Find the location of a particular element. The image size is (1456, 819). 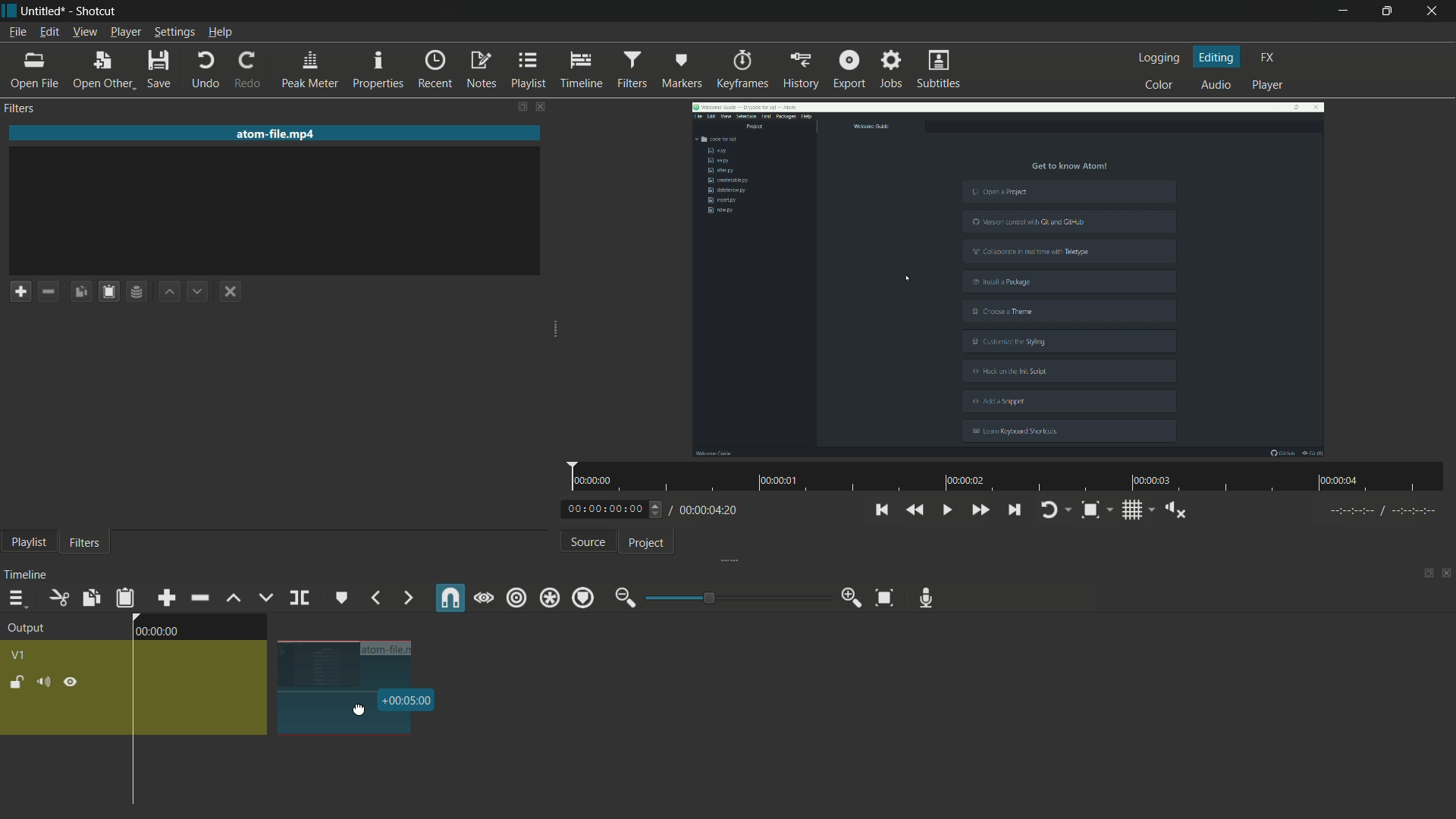

project is located at coordinates (648, 542).